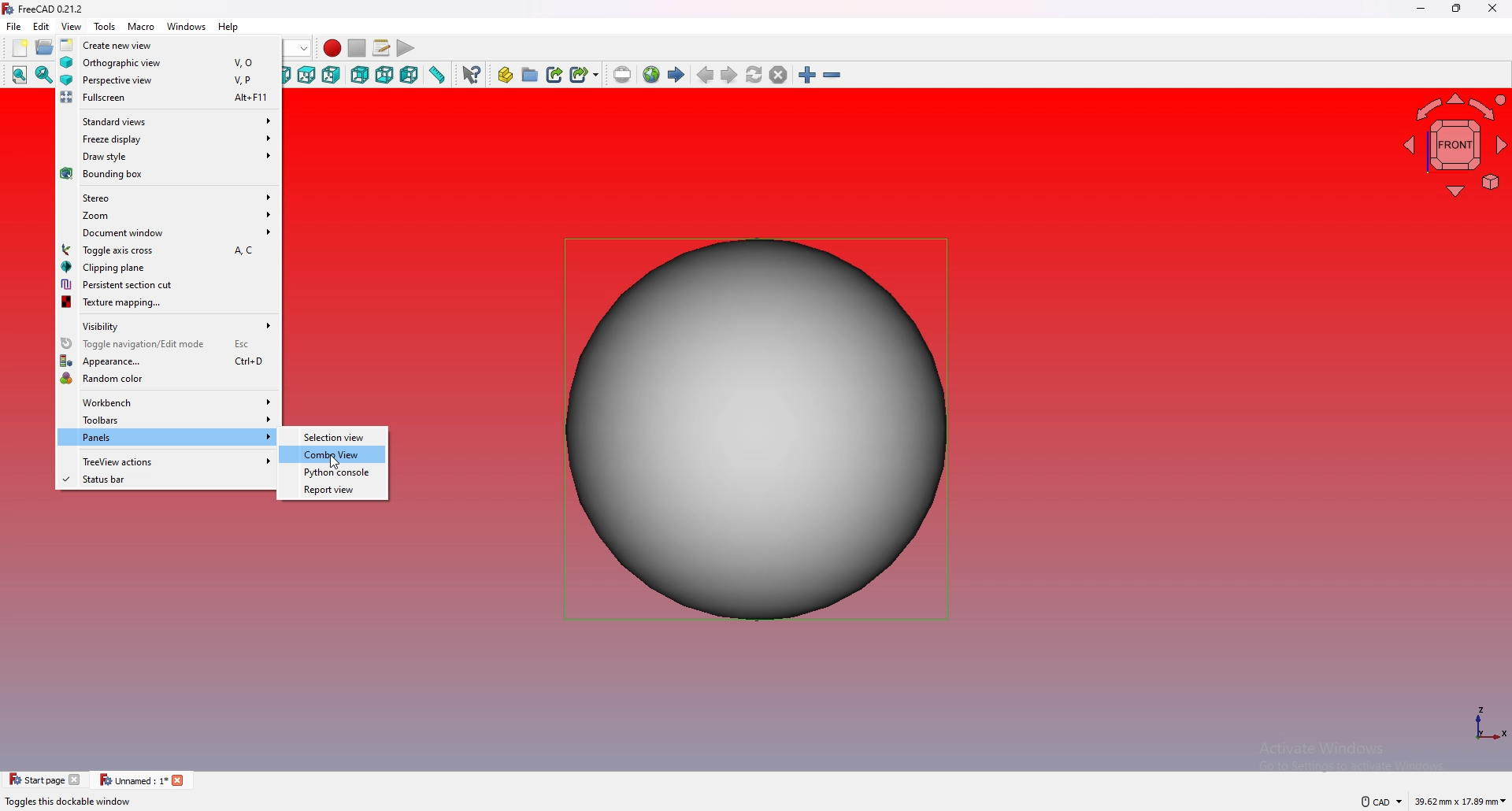  What do you see at coordinates (168, 361) in the screenshot?
I see `appearance` at bounding box center [168, 361].